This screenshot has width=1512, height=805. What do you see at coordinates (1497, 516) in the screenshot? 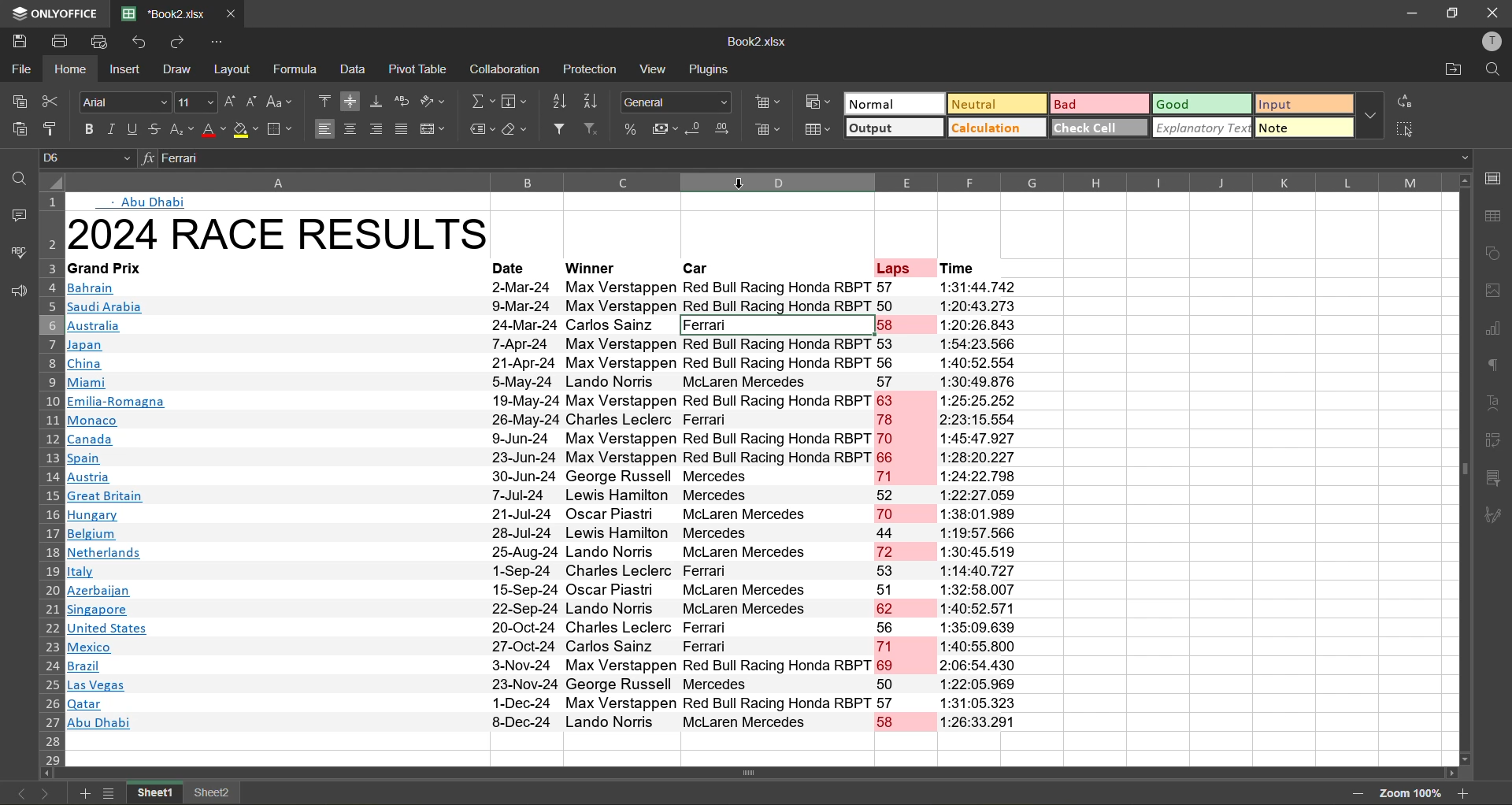
I see `signature` at bounding box center [1497, 516].